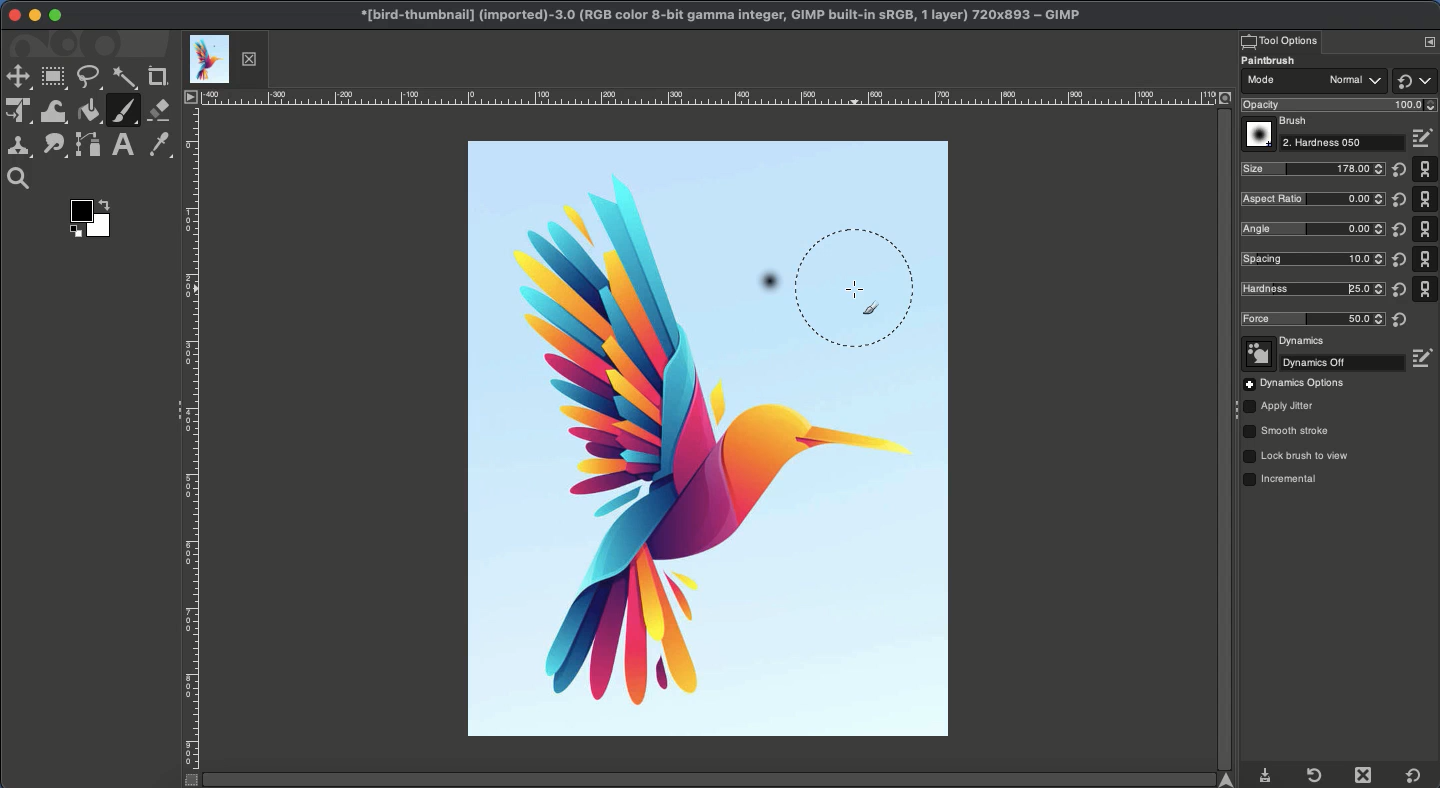 The image size is (1440, 788). What do you see at coordinates (1429, 41) in the screenshot?
I see `Options` at bounding box center [1429, 41].